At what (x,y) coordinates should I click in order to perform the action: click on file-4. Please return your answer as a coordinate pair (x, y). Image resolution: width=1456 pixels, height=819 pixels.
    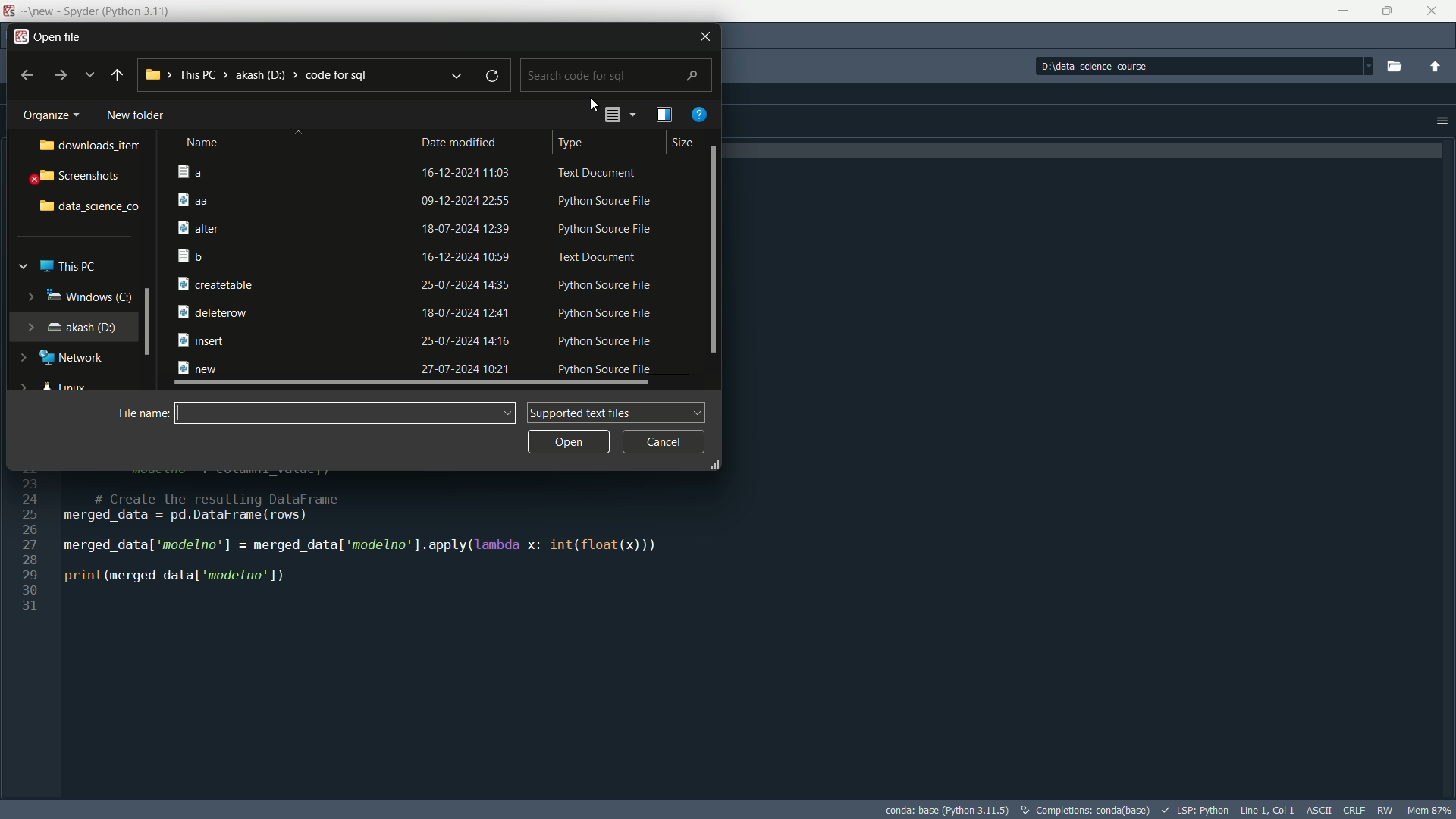
    Looking at the image, I should click on (417, 257).